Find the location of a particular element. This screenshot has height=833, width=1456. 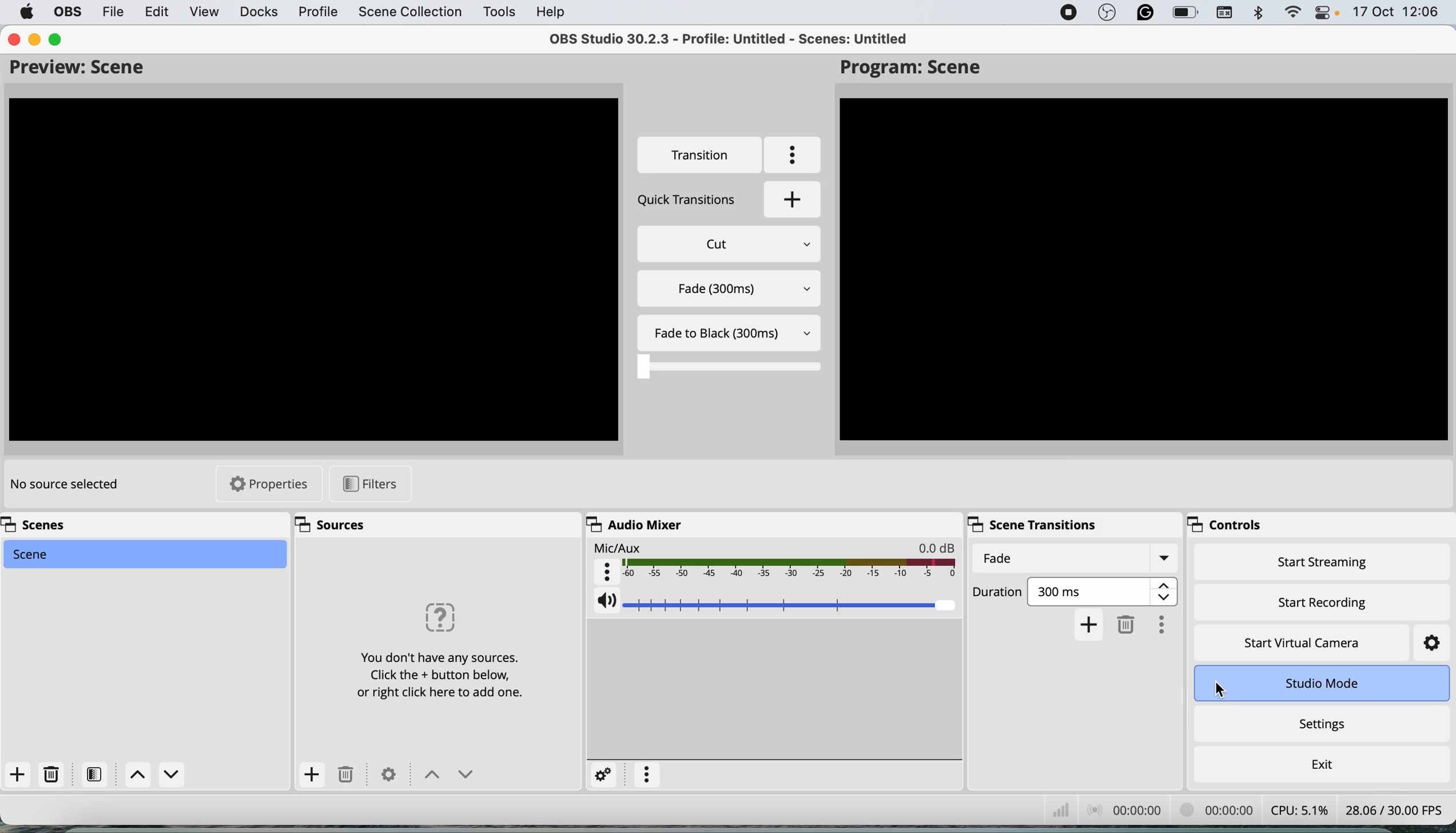

keyboard is located at coordinates (1226, 14).